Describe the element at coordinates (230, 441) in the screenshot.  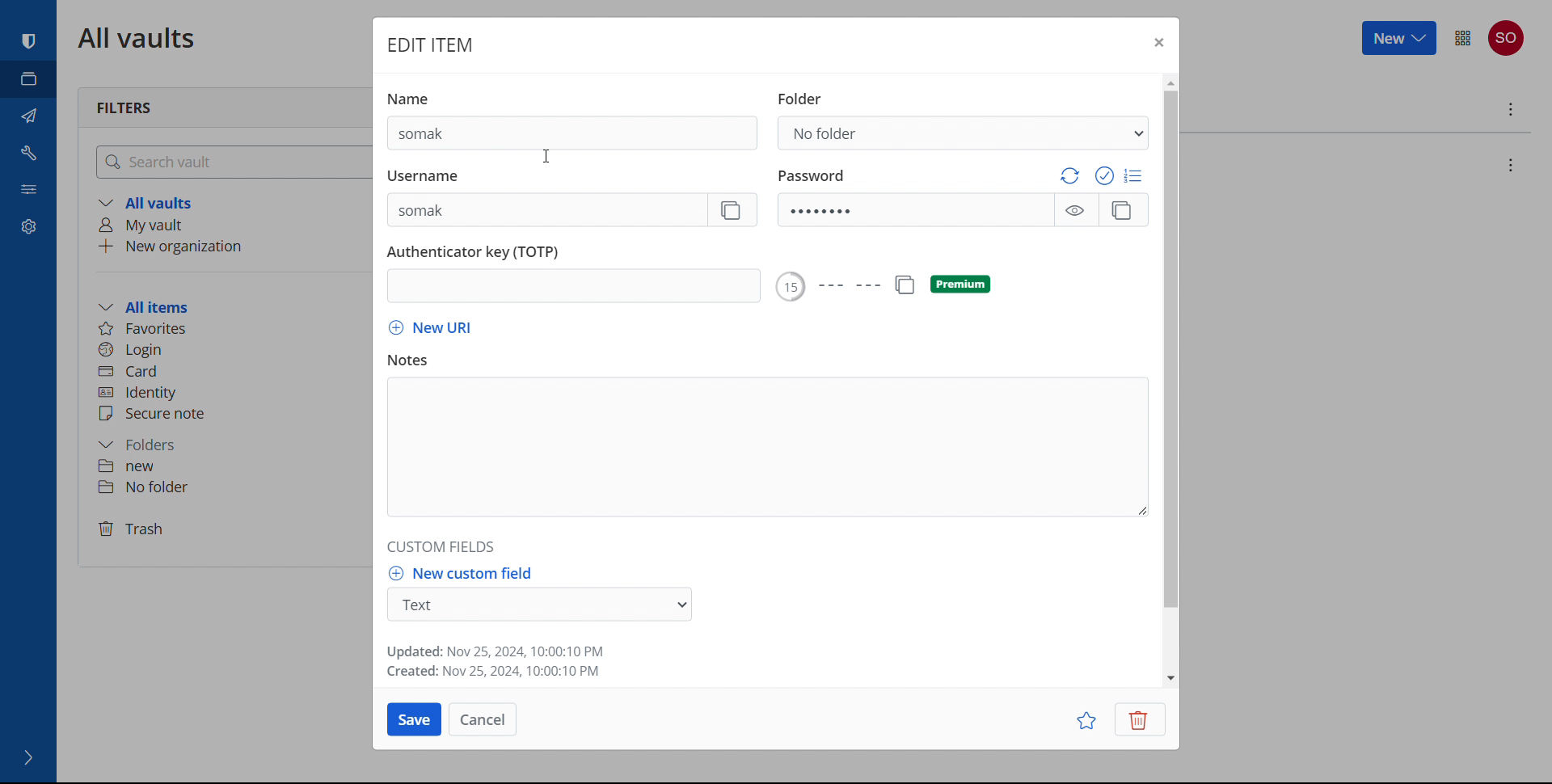
I see `folders` at that location.